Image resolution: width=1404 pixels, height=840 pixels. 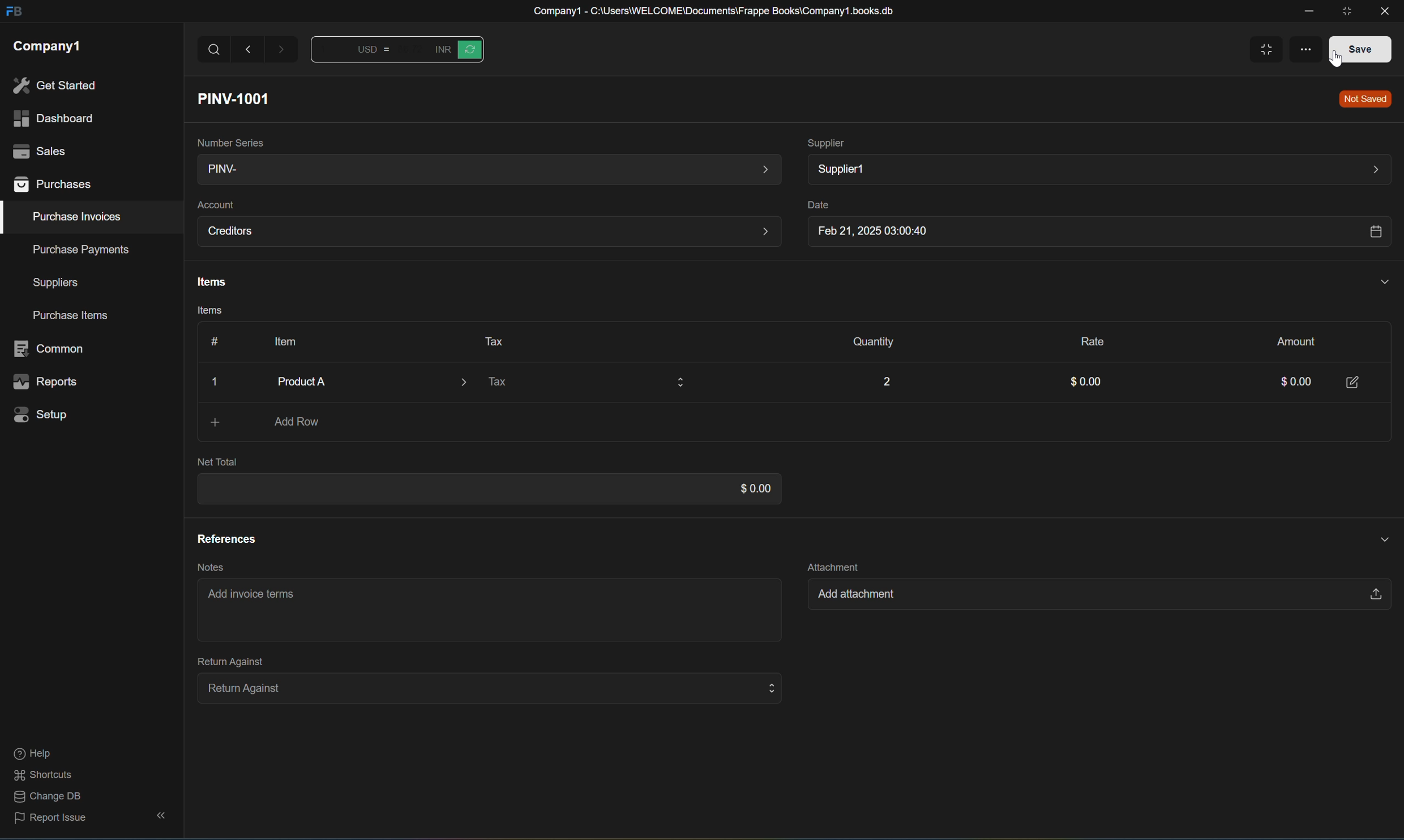 What do you see at coordinates (55, 283) in the screenshot?
I see `suppliers` at bounding box center [55, 283].